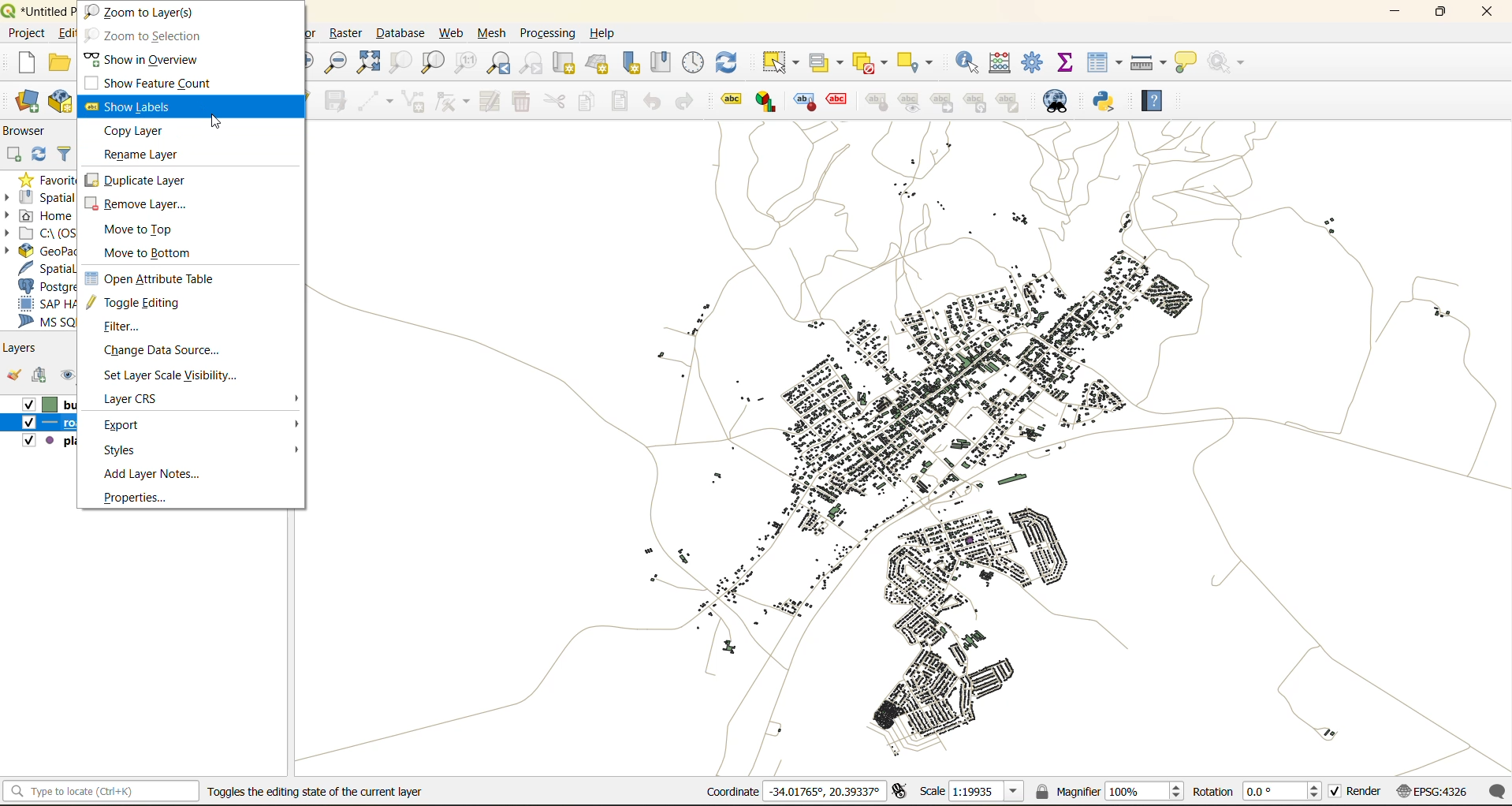 Image resolution: width=1512 pixels, height=806 pixels. I want to click on cut, so click(555, 102).